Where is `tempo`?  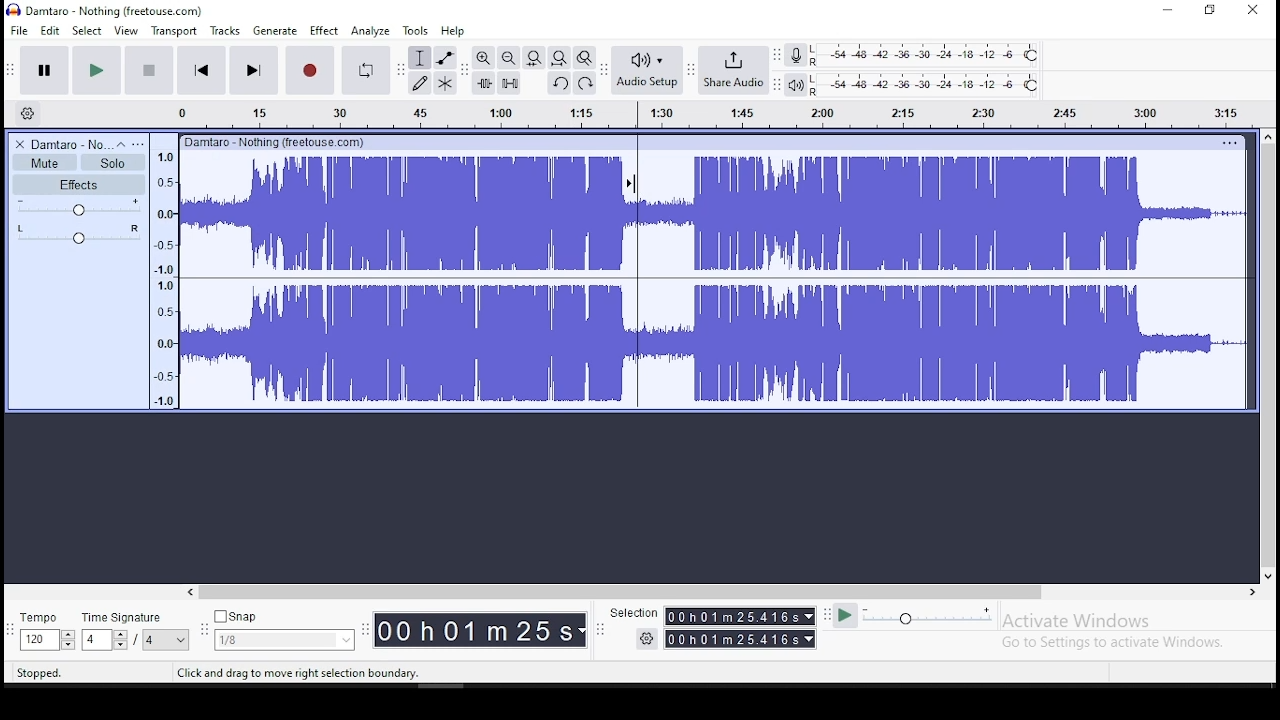
tempo is located at coordinates (42, 617).